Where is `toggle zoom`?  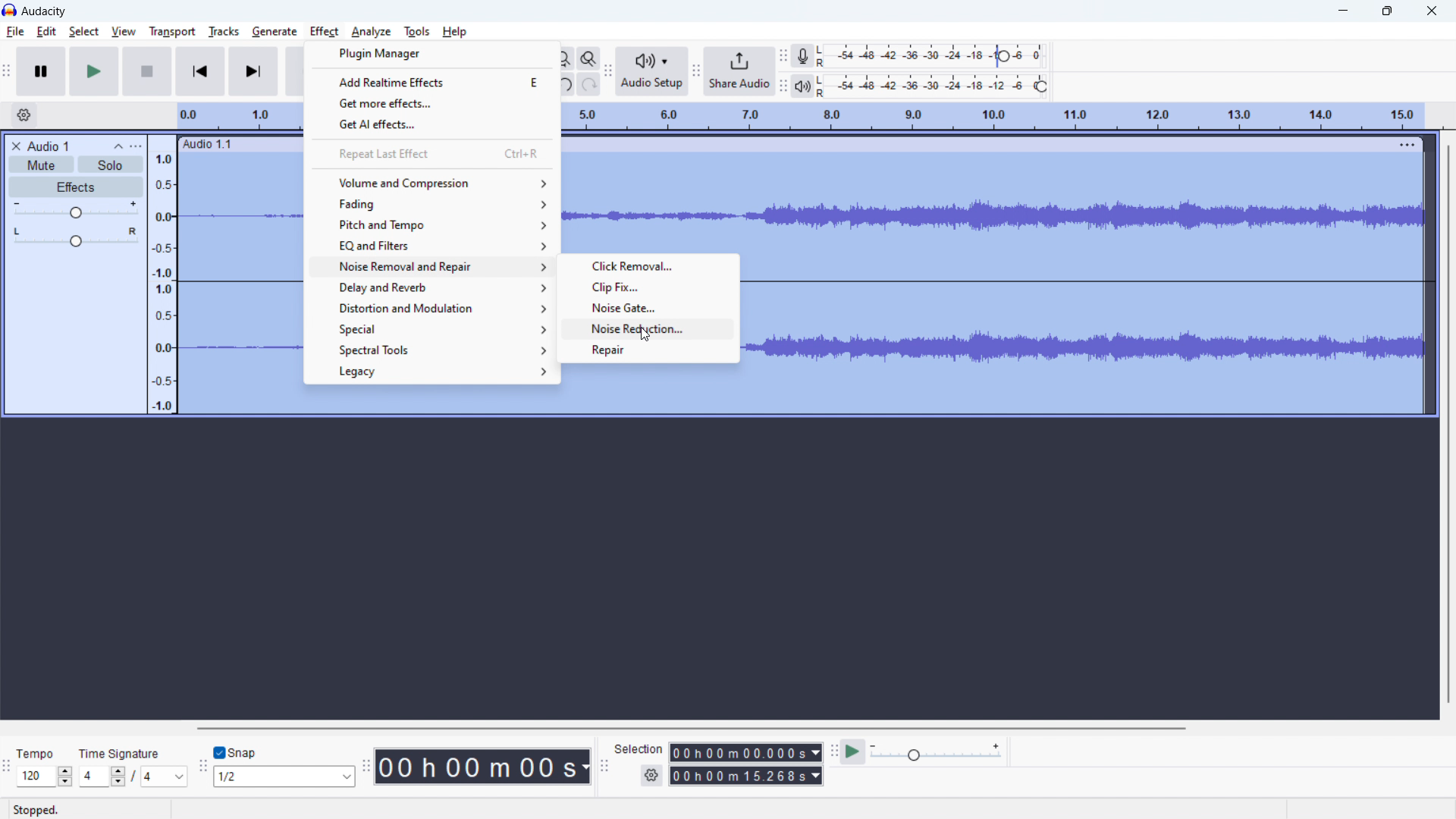
toggle zoom is located at coordinates (588, 58).